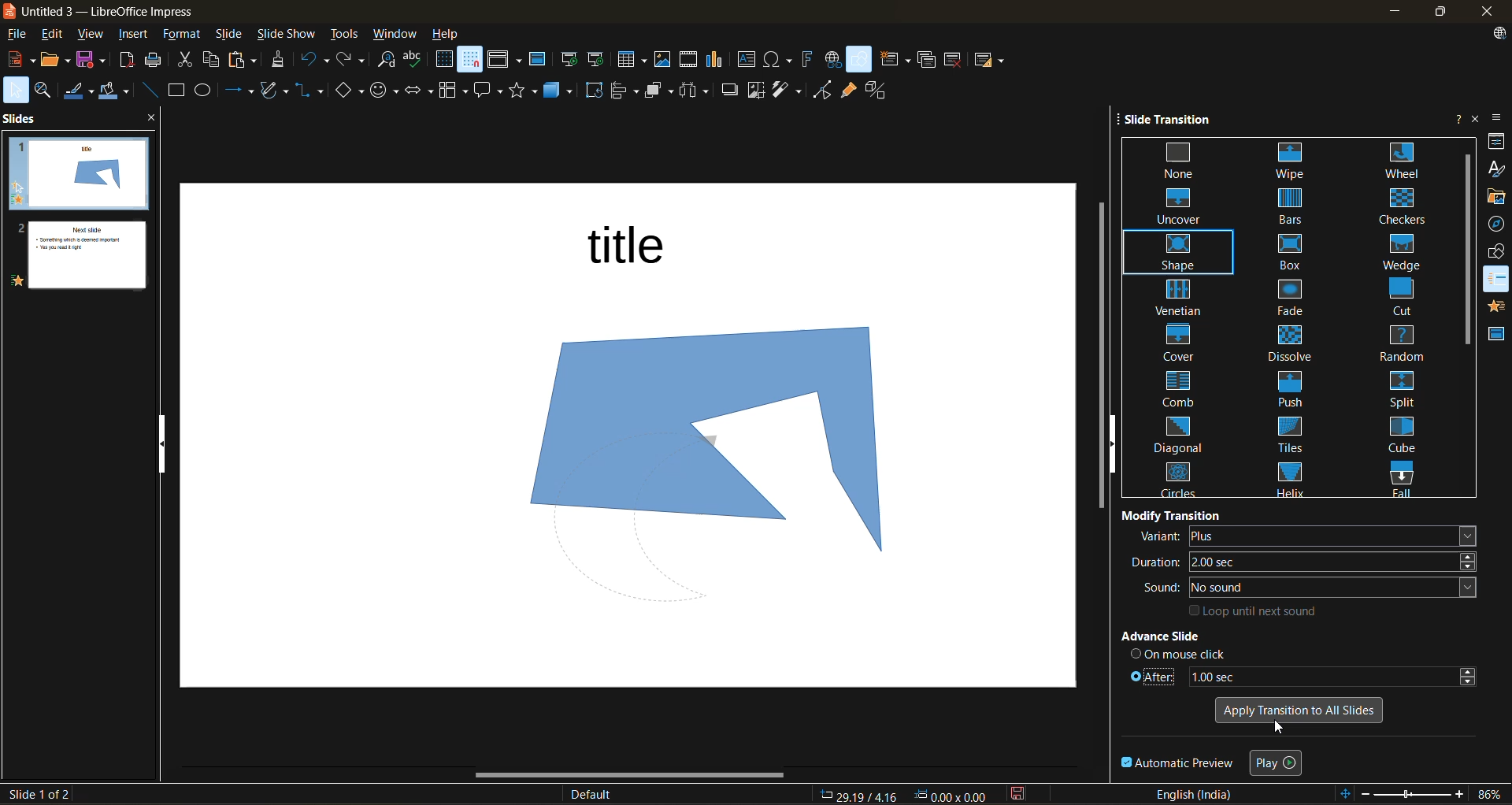 Image resolution: width=1512 pixels, height=805 pixels. Describe the element at coordinates (1414, 796) in the screenshot. I see `zoom slider` at that location.